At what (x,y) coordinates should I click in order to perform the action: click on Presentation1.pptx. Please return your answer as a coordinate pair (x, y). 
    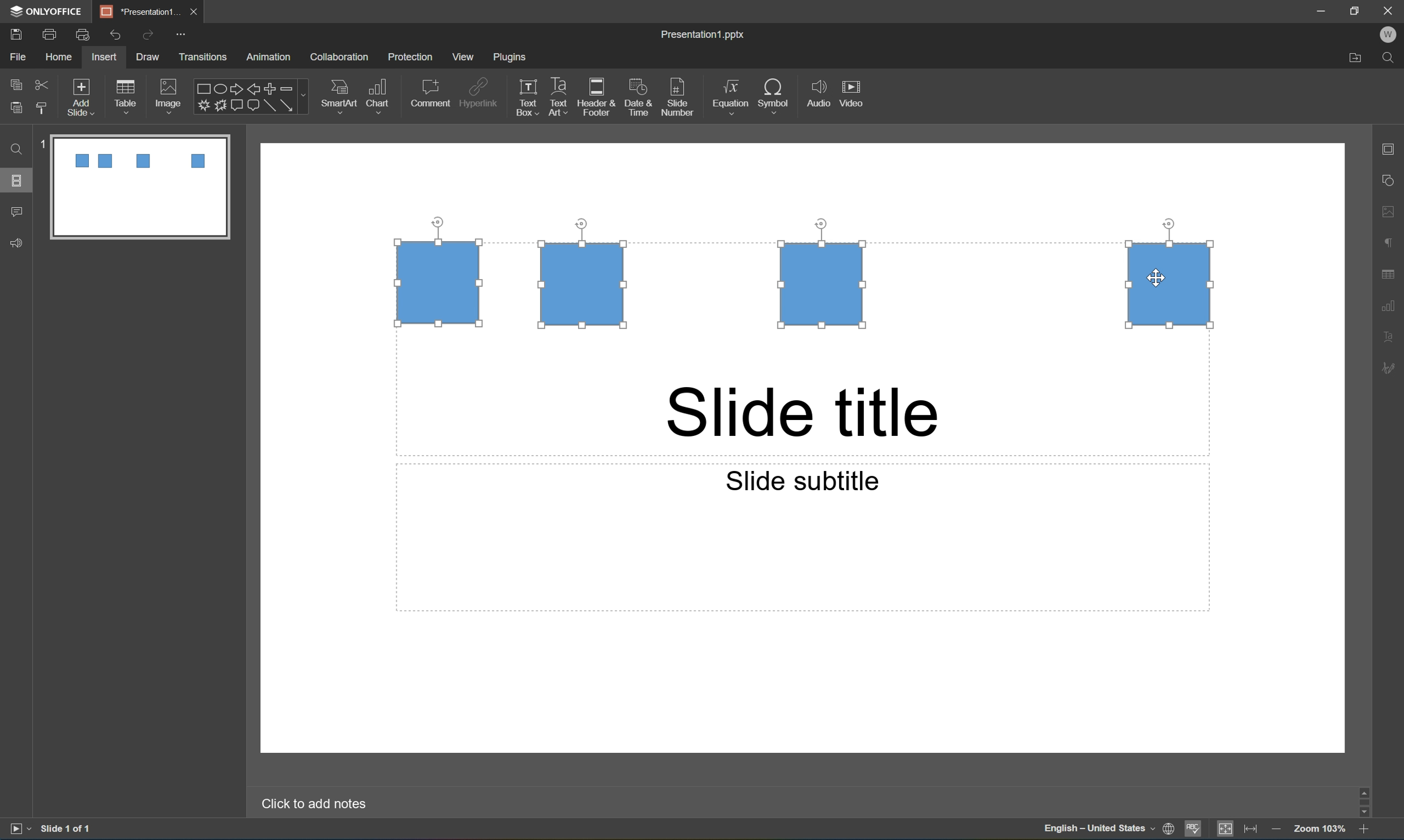
    Looking at the image, I should click on (704, 36).